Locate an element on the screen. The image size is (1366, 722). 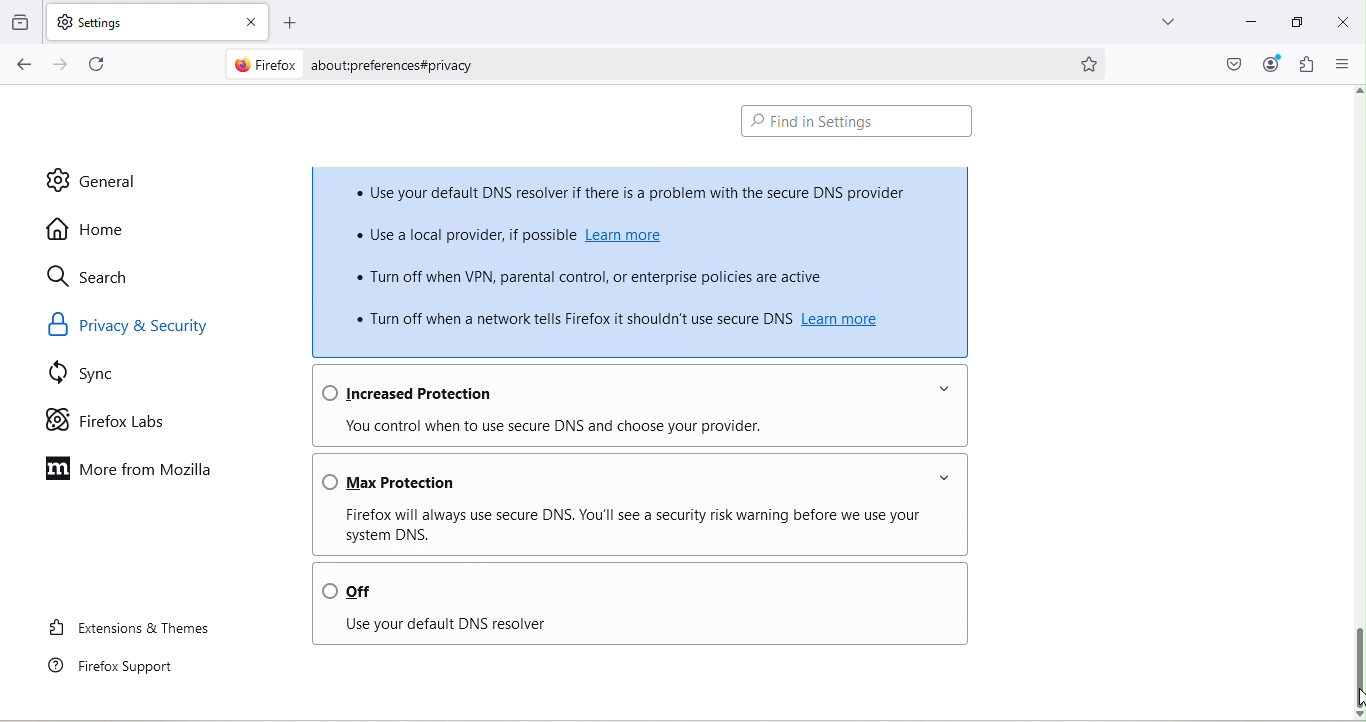
Sync is located at coordinates (92, 376).